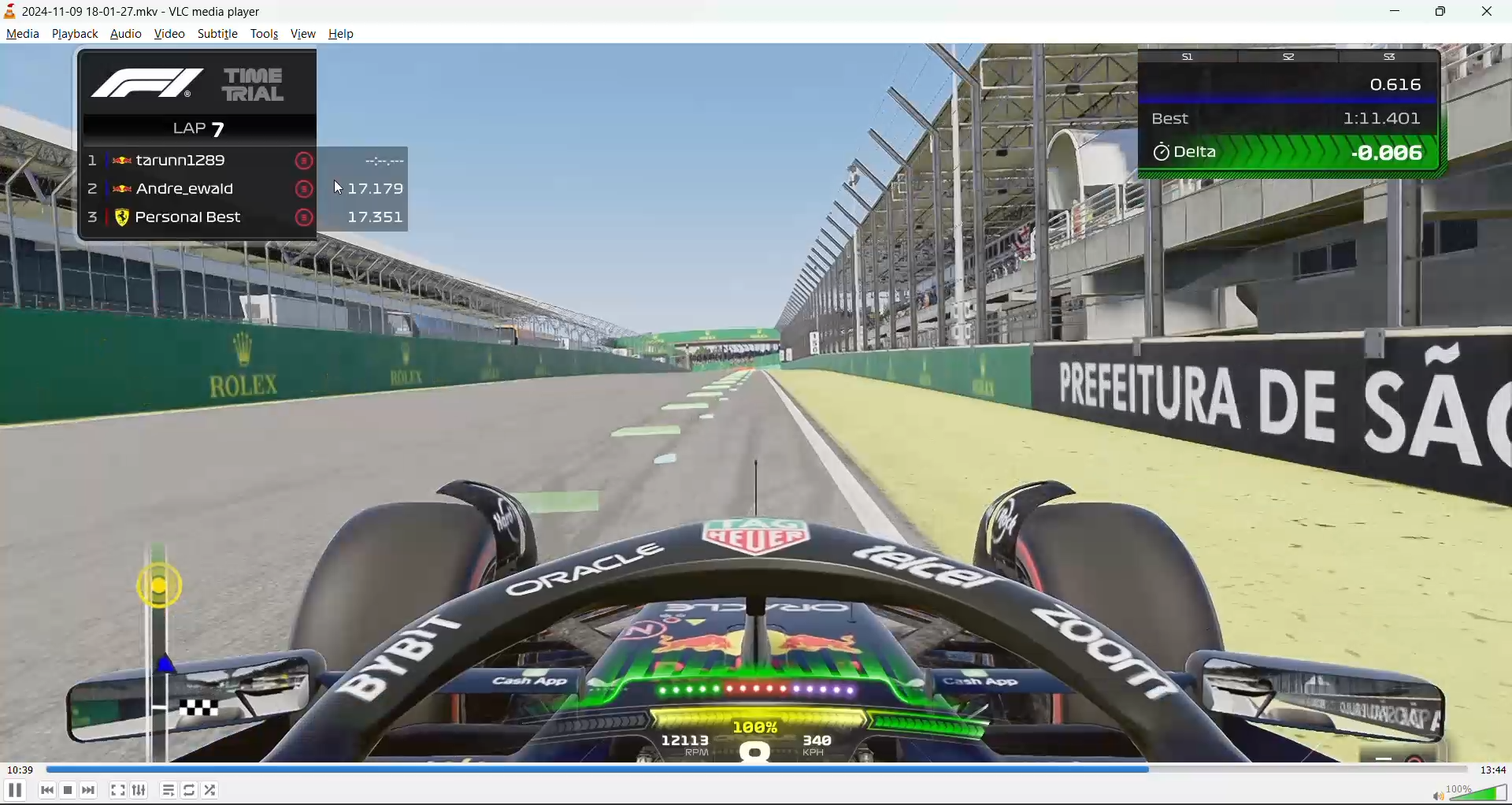 The width and height of the screenshot is (1512, 805). I want to click on previous, so click(47, 791).